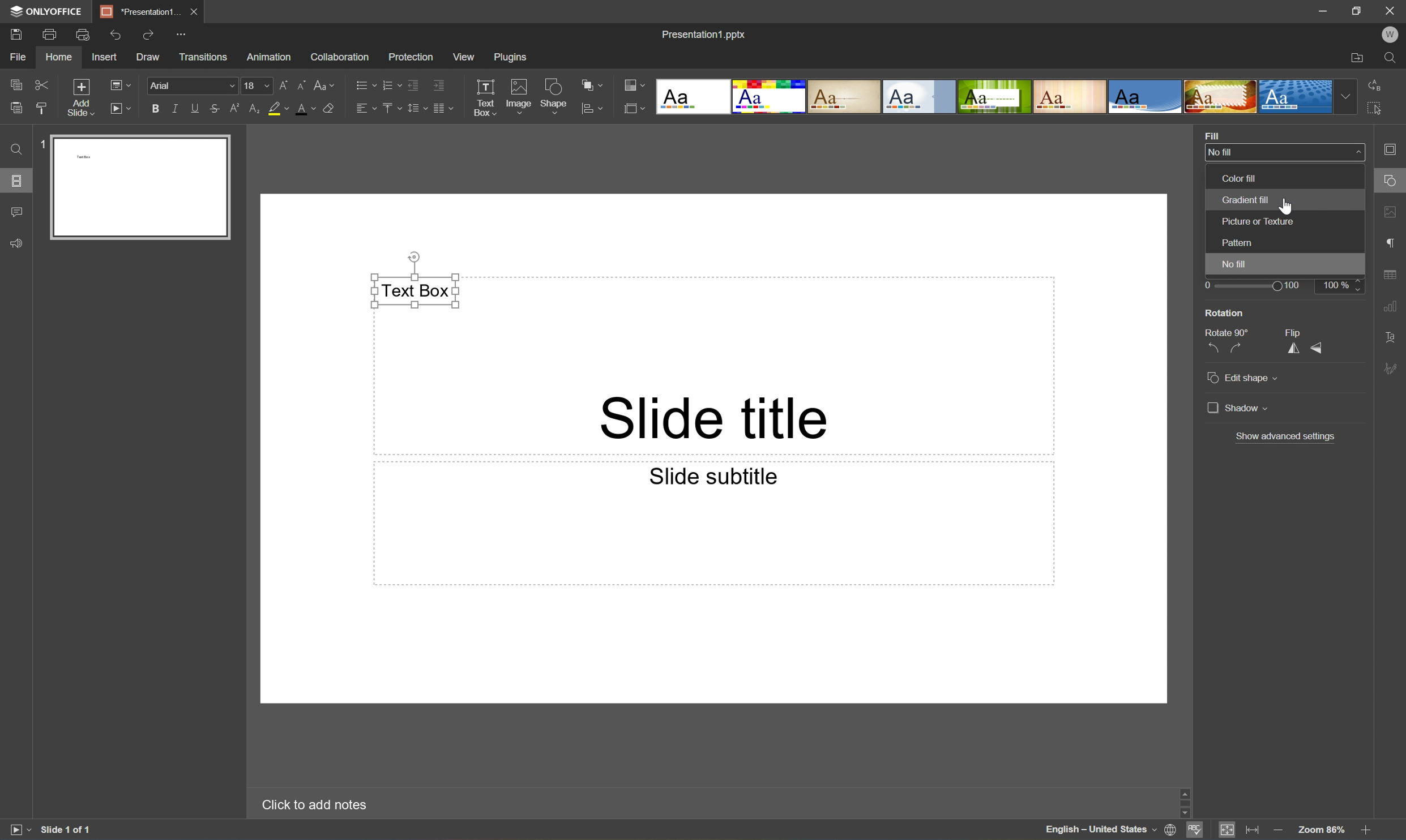 Image resolution: width=1406 pixels, height=840 pixels. I want to click on File, so click(21, 56).